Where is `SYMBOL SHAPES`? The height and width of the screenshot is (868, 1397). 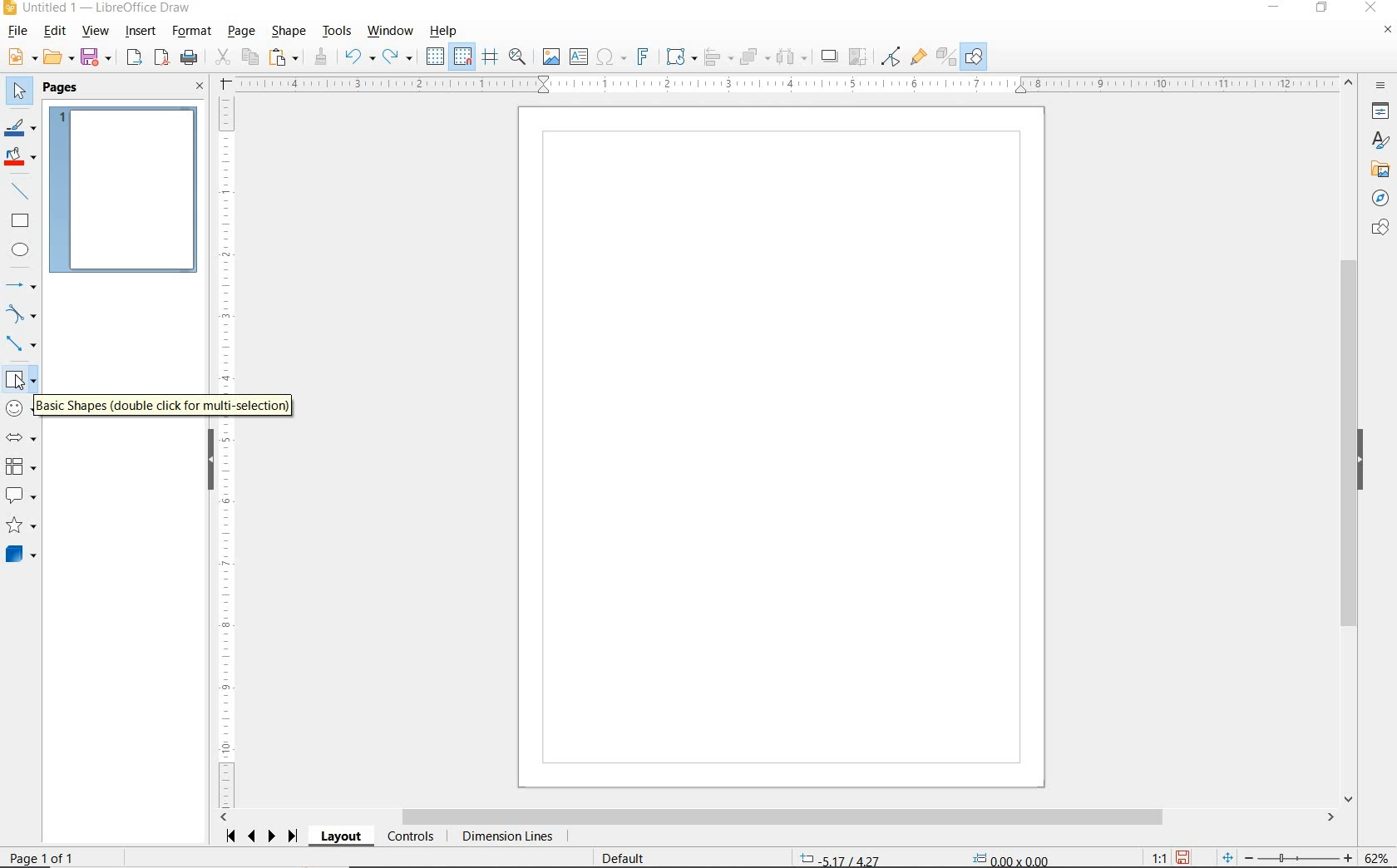
SYMBOL SHAPES is located at coordinates (22, 407).